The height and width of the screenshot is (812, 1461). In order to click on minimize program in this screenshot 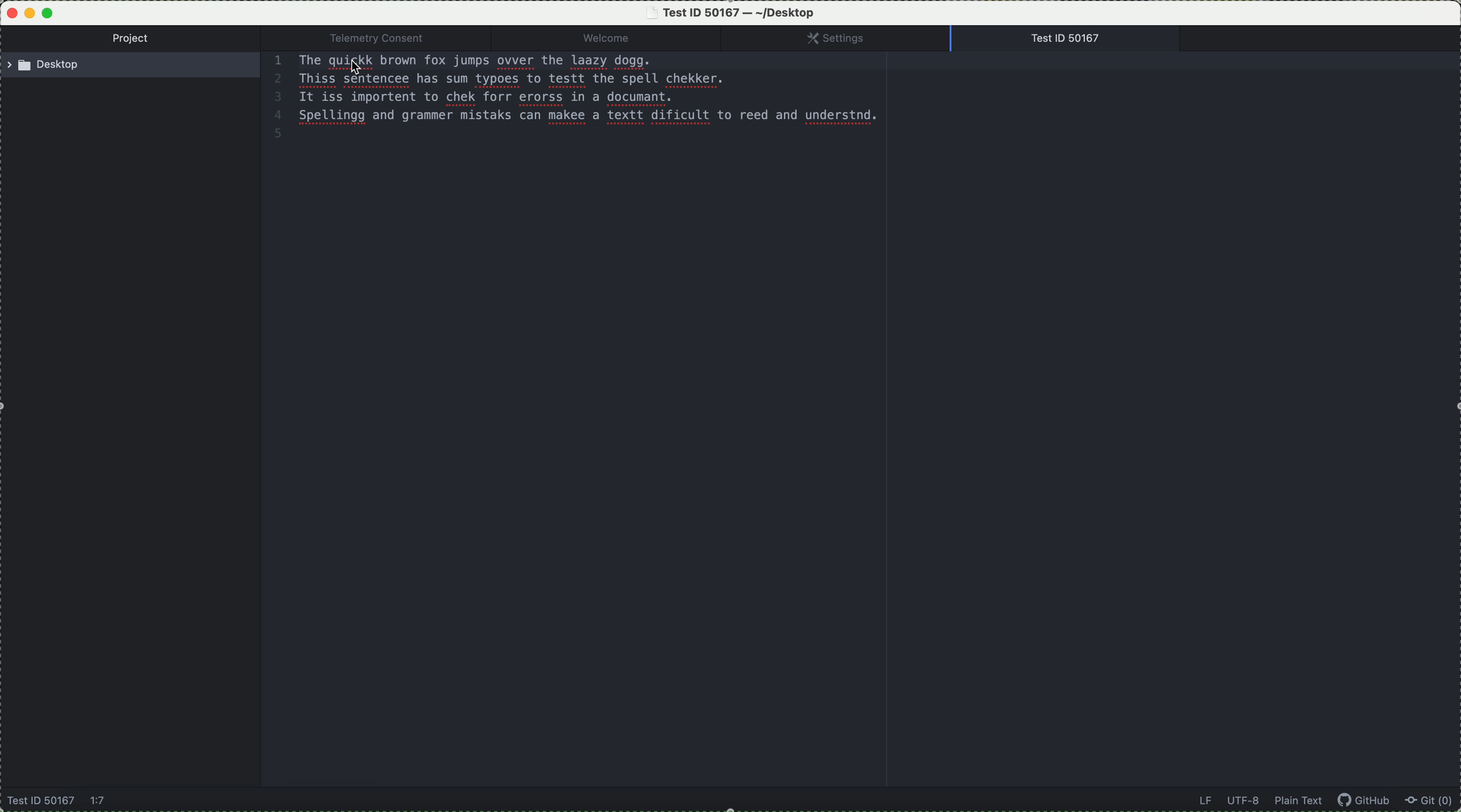, I will do `click(30, 14)`.